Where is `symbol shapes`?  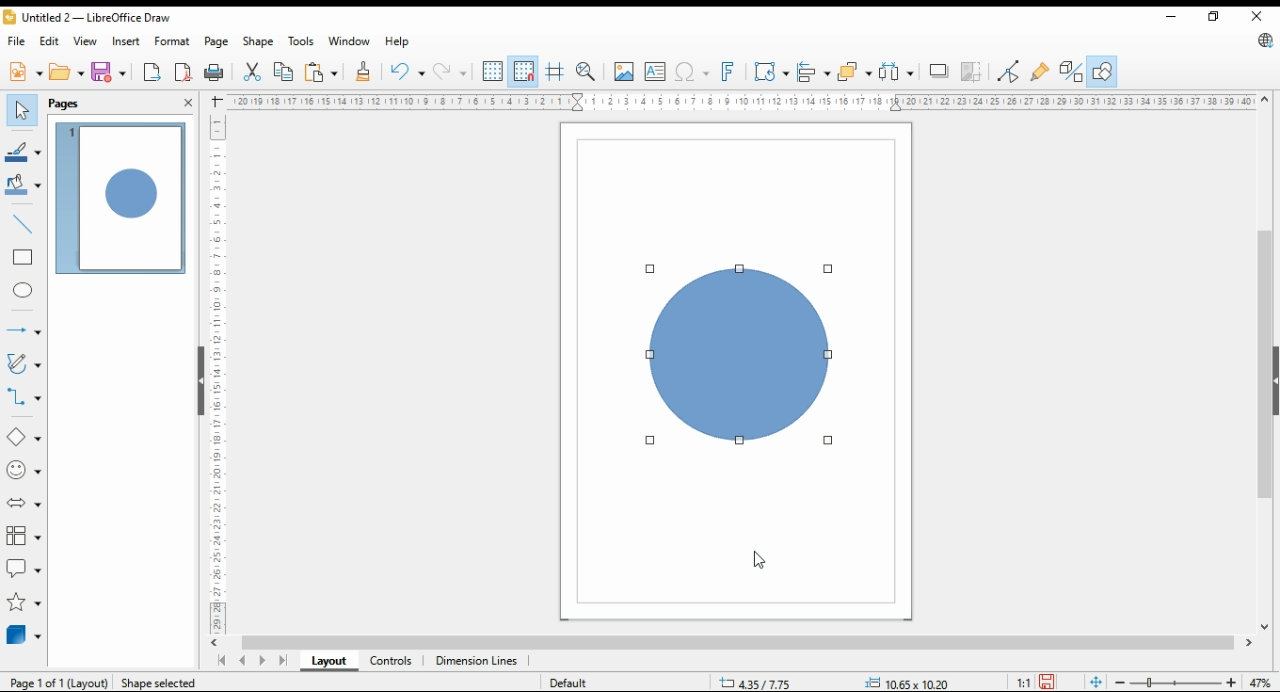
symbol shapes is located at coordinates (23, 469).